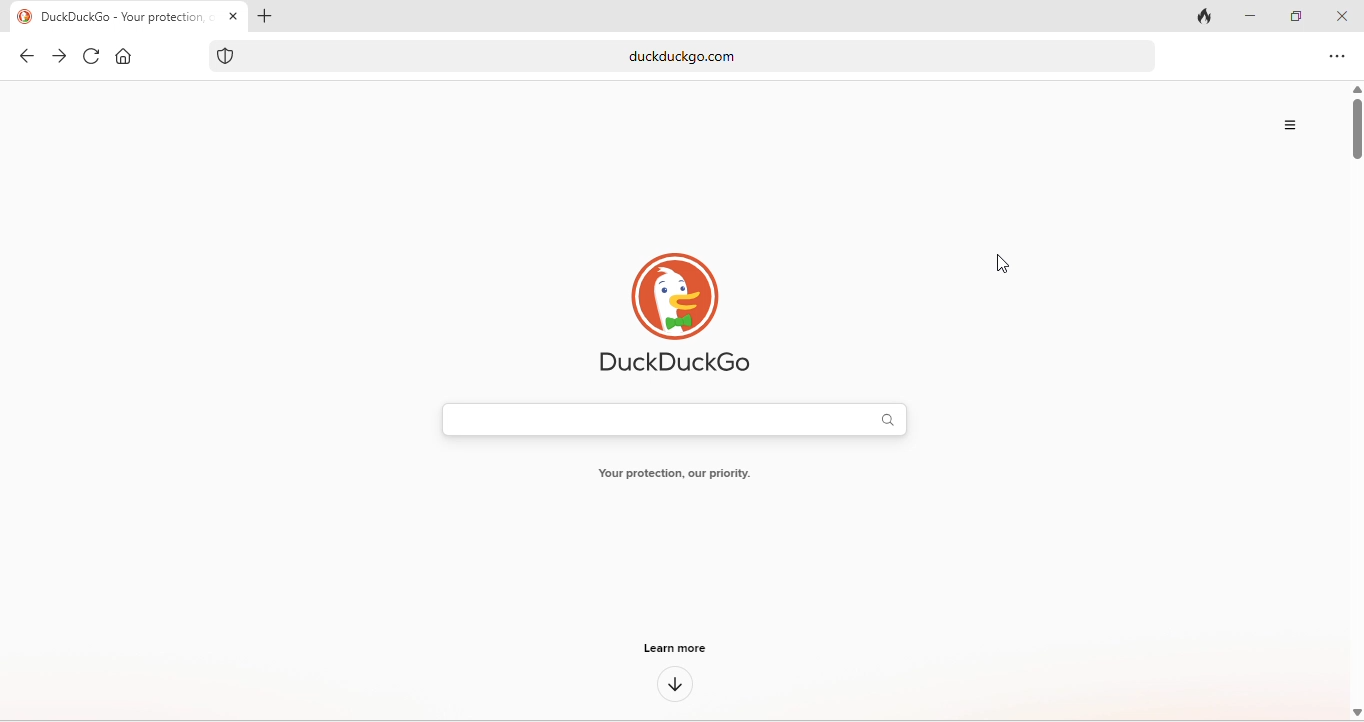 The image size is (1364, 722). I want to click on down arrow, so click(678, 682).